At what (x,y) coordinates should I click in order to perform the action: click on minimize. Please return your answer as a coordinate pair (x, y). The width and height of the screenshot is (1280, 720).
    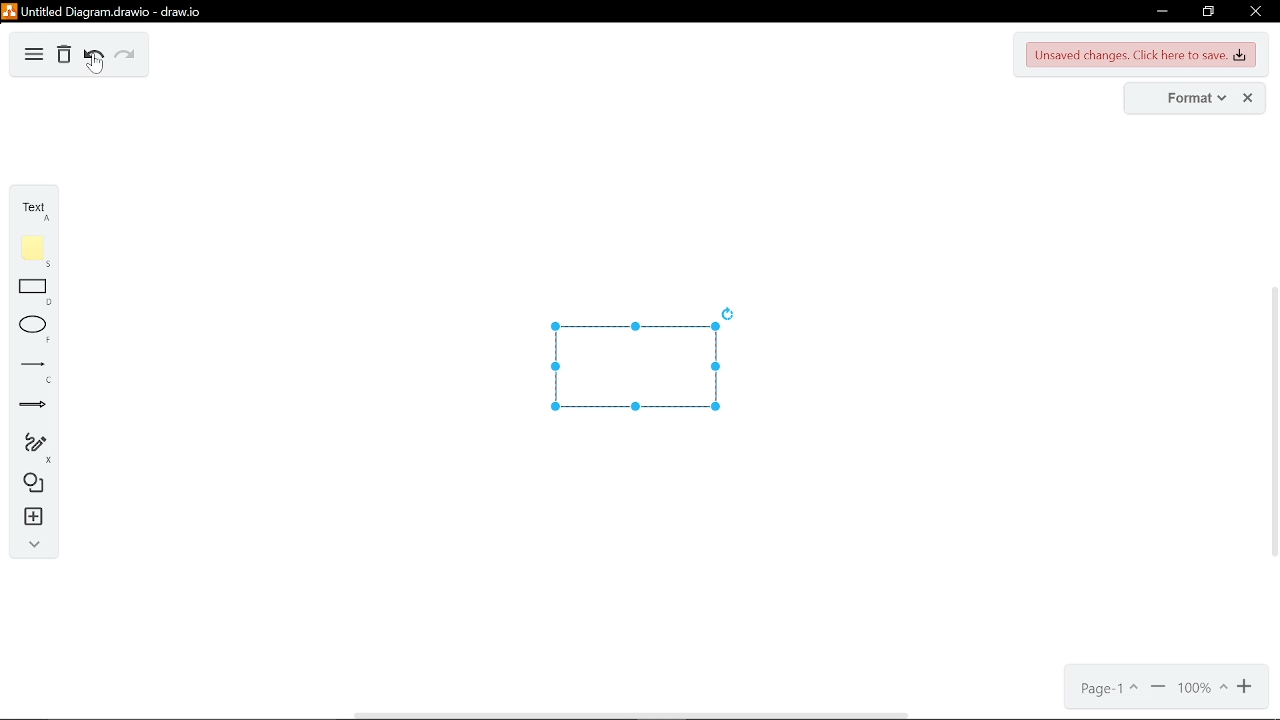
    Looking at the image, I should click on (1162, 11).